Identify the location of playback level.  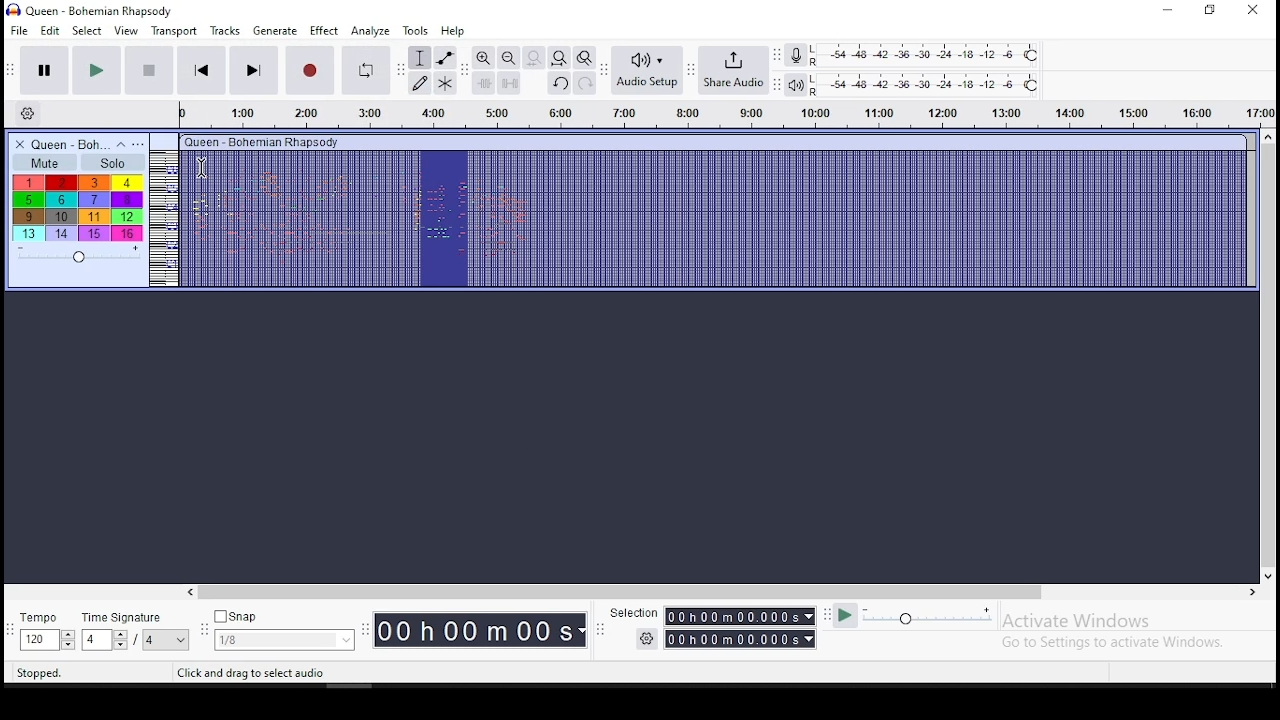
(927, 85).